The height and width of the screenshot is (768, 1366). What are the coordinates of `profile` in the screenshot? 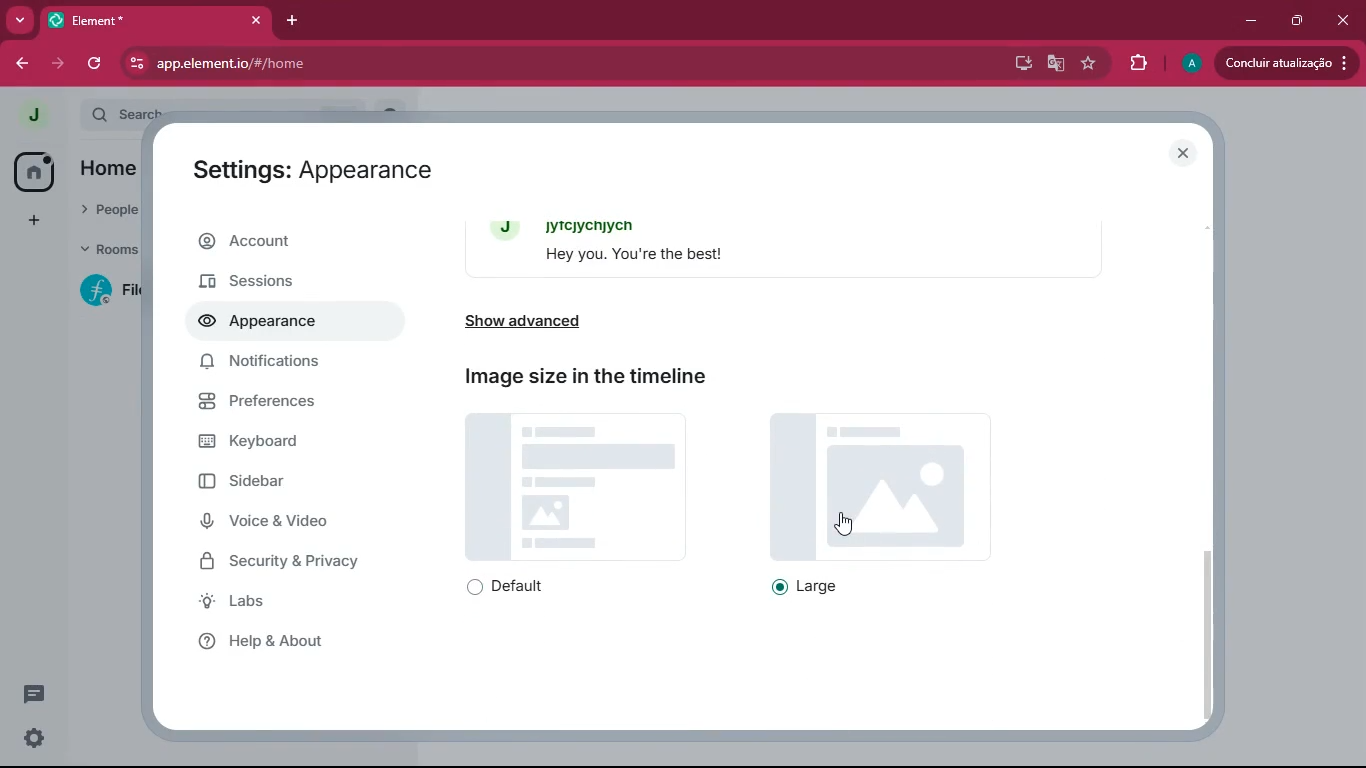 It's located at (35, 115).